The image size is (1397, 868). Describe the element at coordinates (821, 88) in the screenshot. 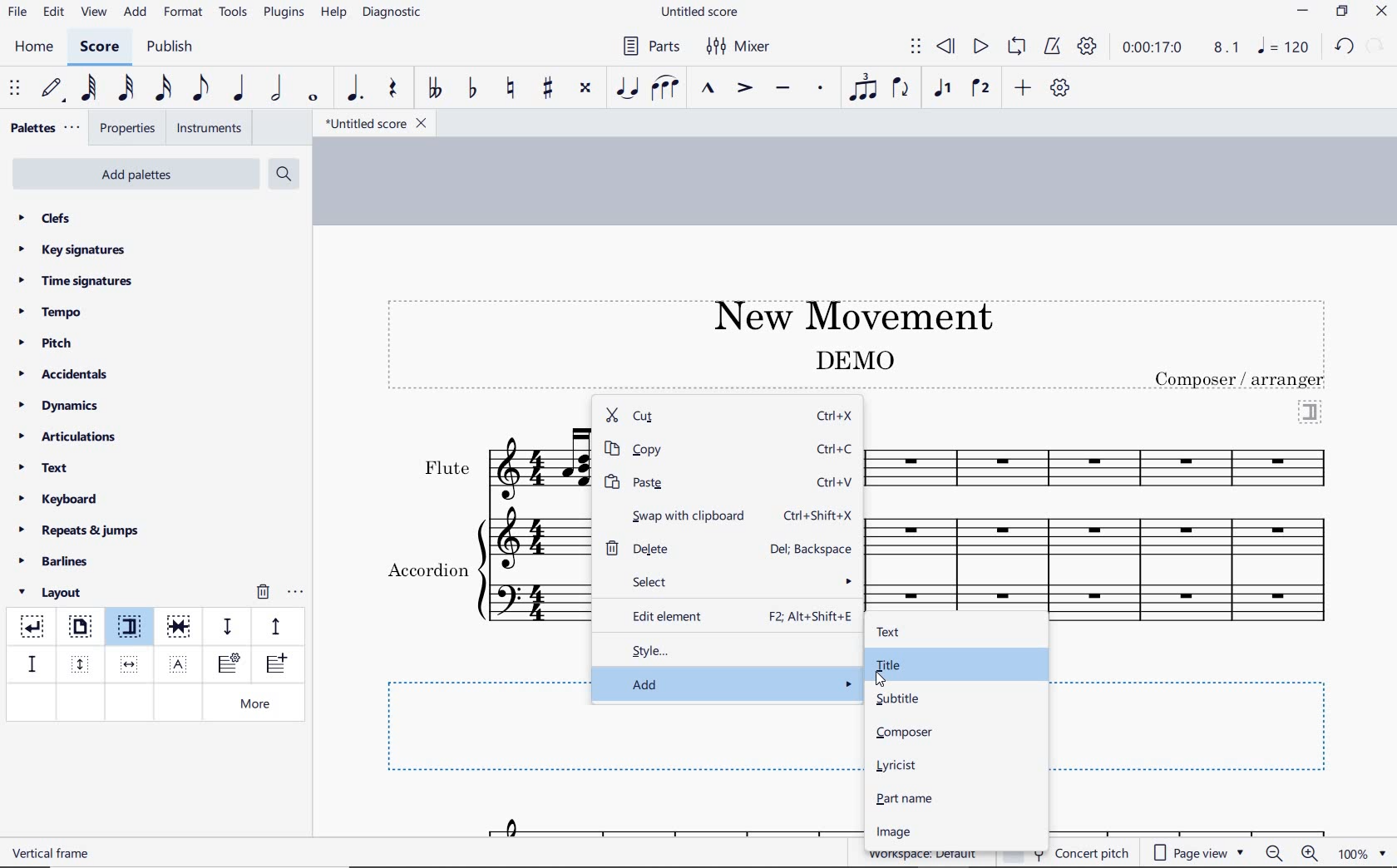

I see `staccato` at that location.